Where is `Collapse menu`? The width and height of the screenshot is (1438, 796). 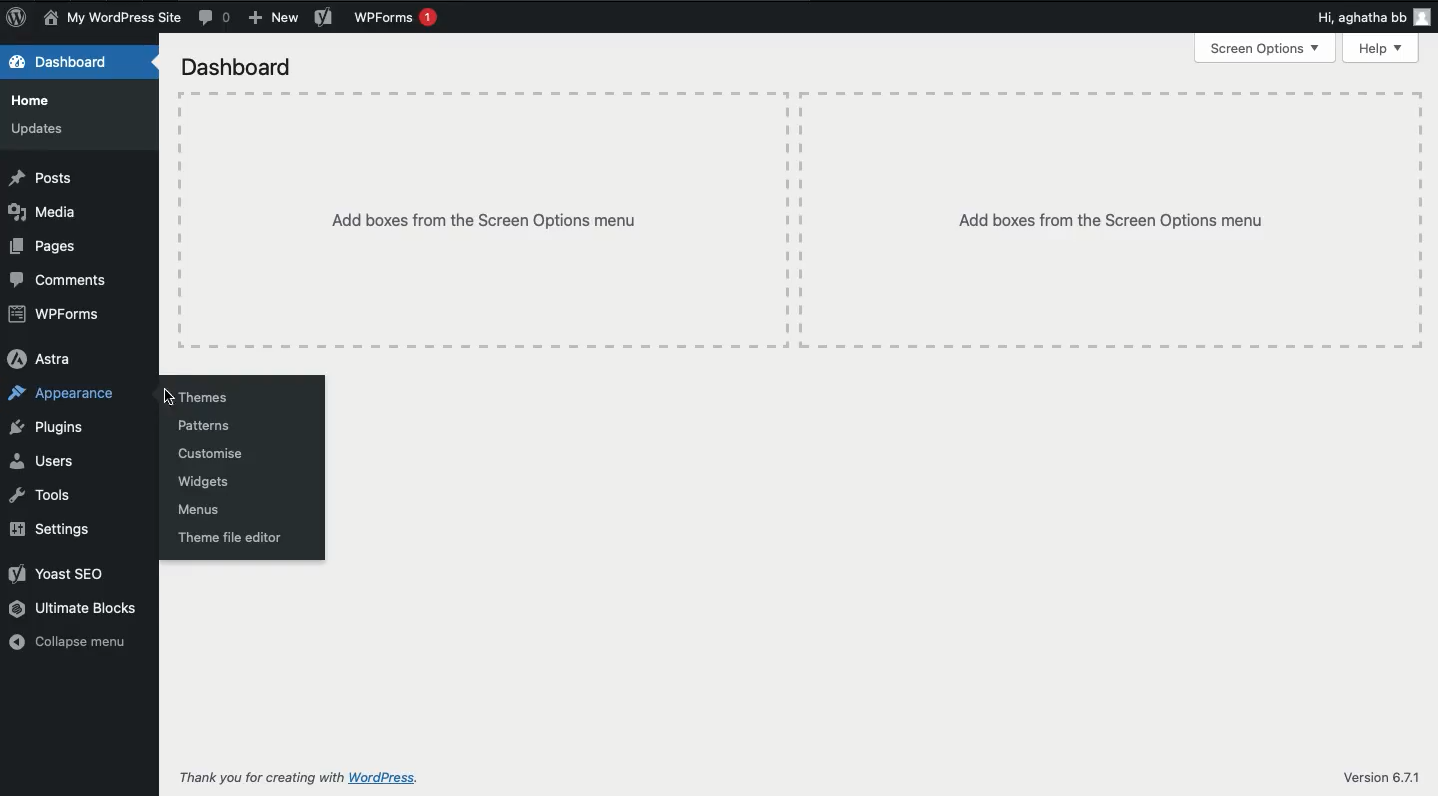
Collapse menu is located at coordinates (72, 644).